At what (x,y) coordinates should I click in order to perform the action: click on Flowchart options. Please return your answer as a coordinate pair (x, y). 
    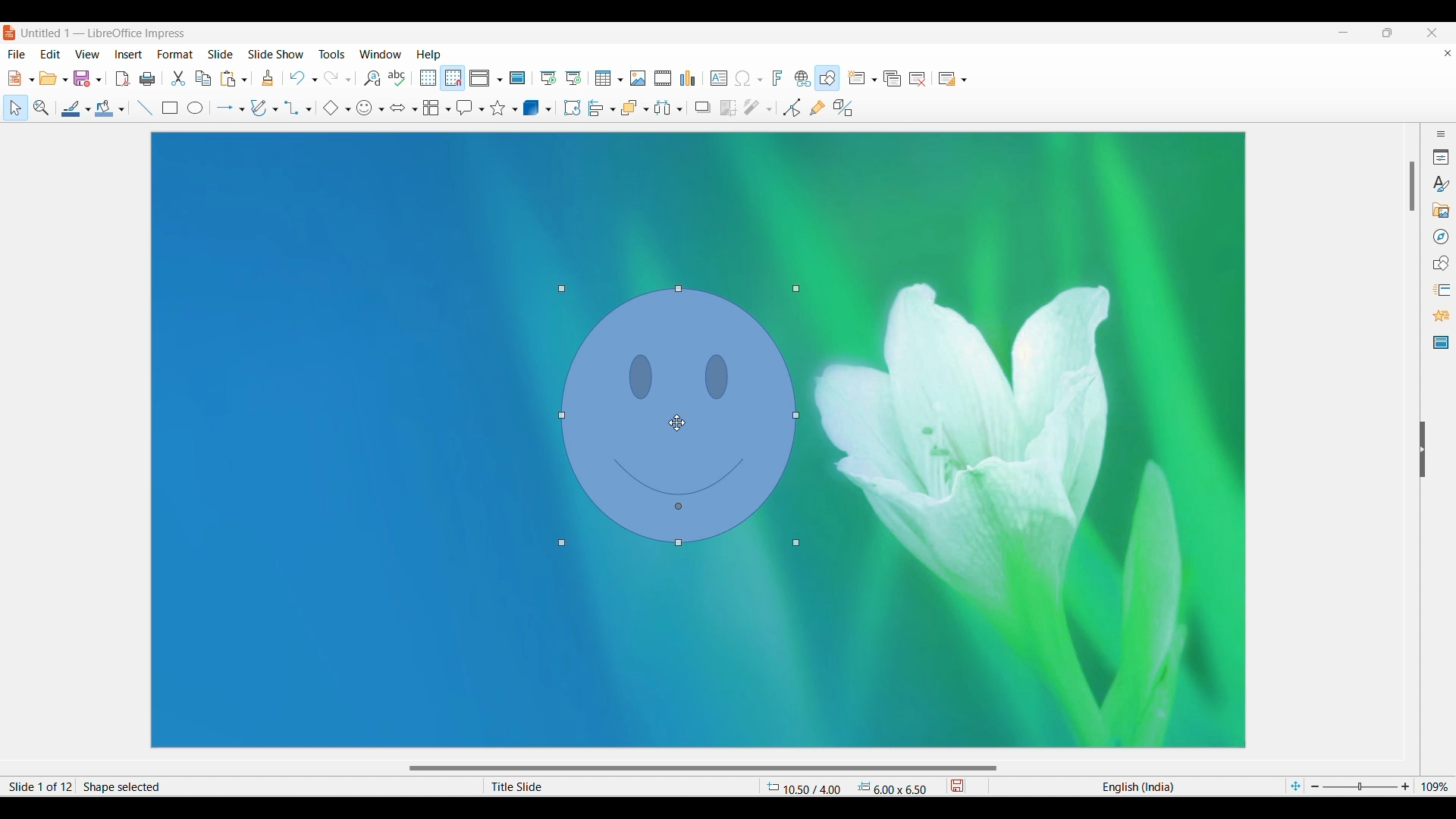
    Looking at the image, I should click on (449, 109).